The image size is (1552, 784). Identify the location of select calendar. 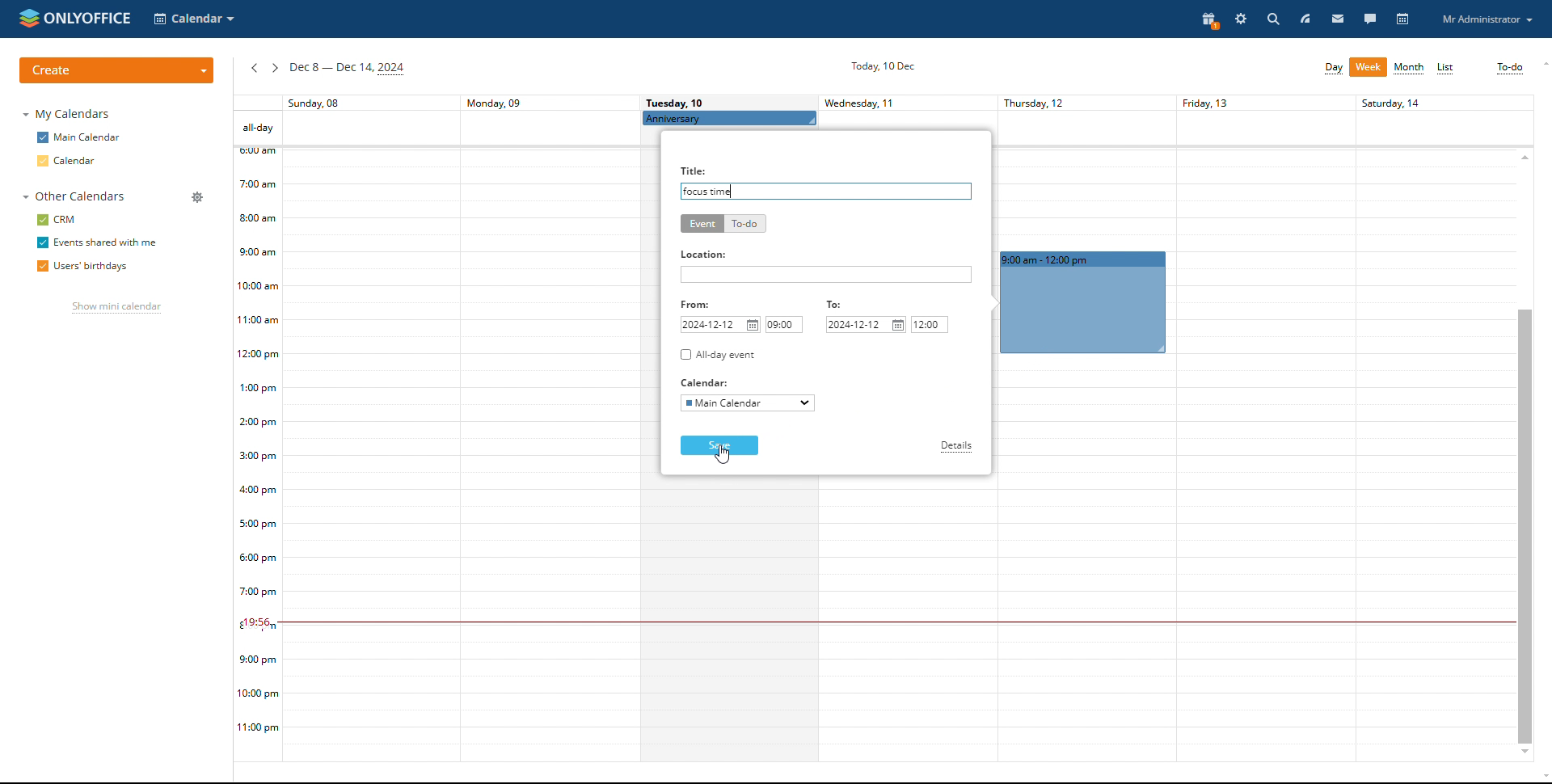
(747, 403).